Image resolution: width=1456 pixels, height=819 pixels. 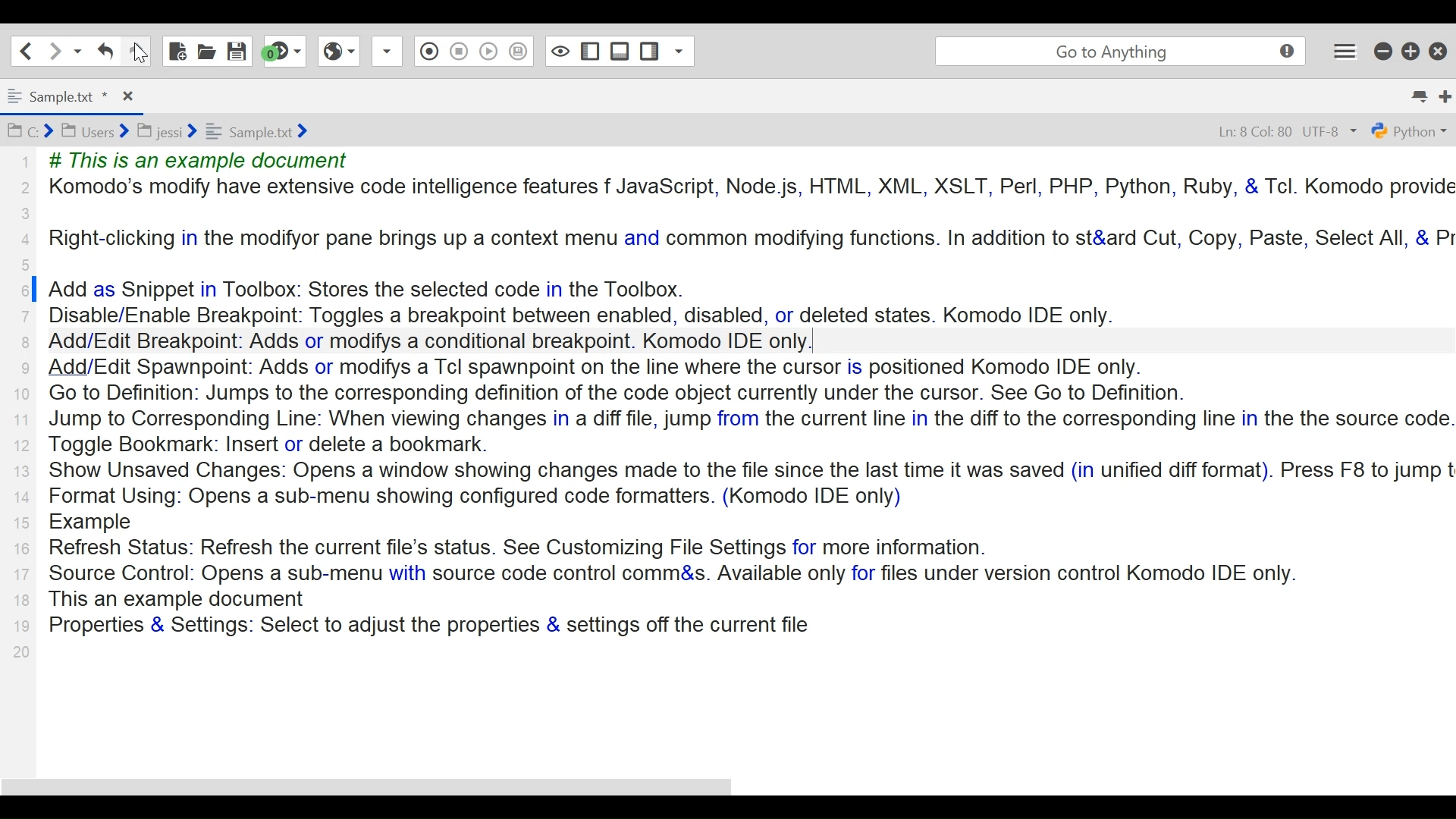 What do you see at coordinates (679, 51) in the screenshot?
I see `Show specific Sidebar` at bounding box center [679, 51].